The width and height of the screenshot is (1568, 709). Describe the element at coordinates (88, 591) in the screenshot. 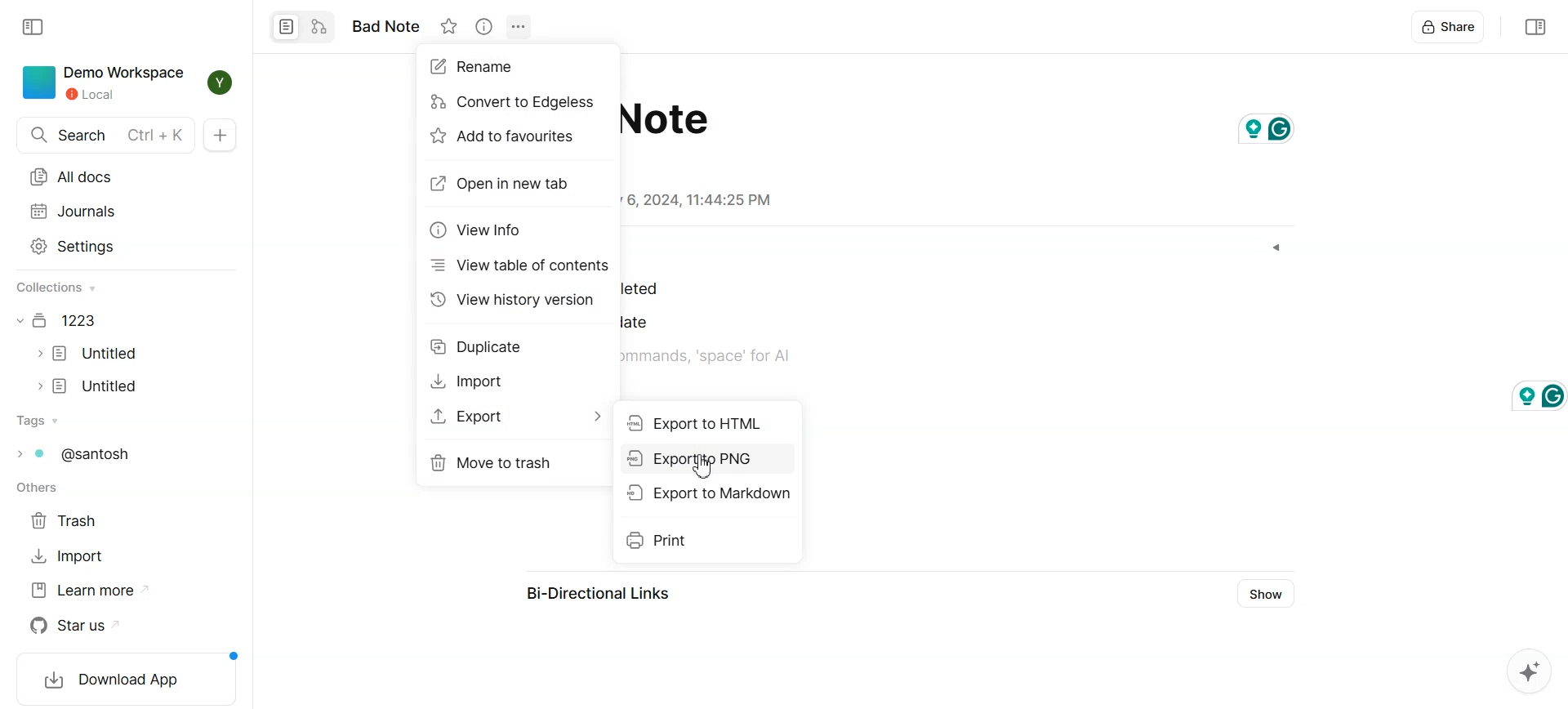

I see `Learn more` at that location.